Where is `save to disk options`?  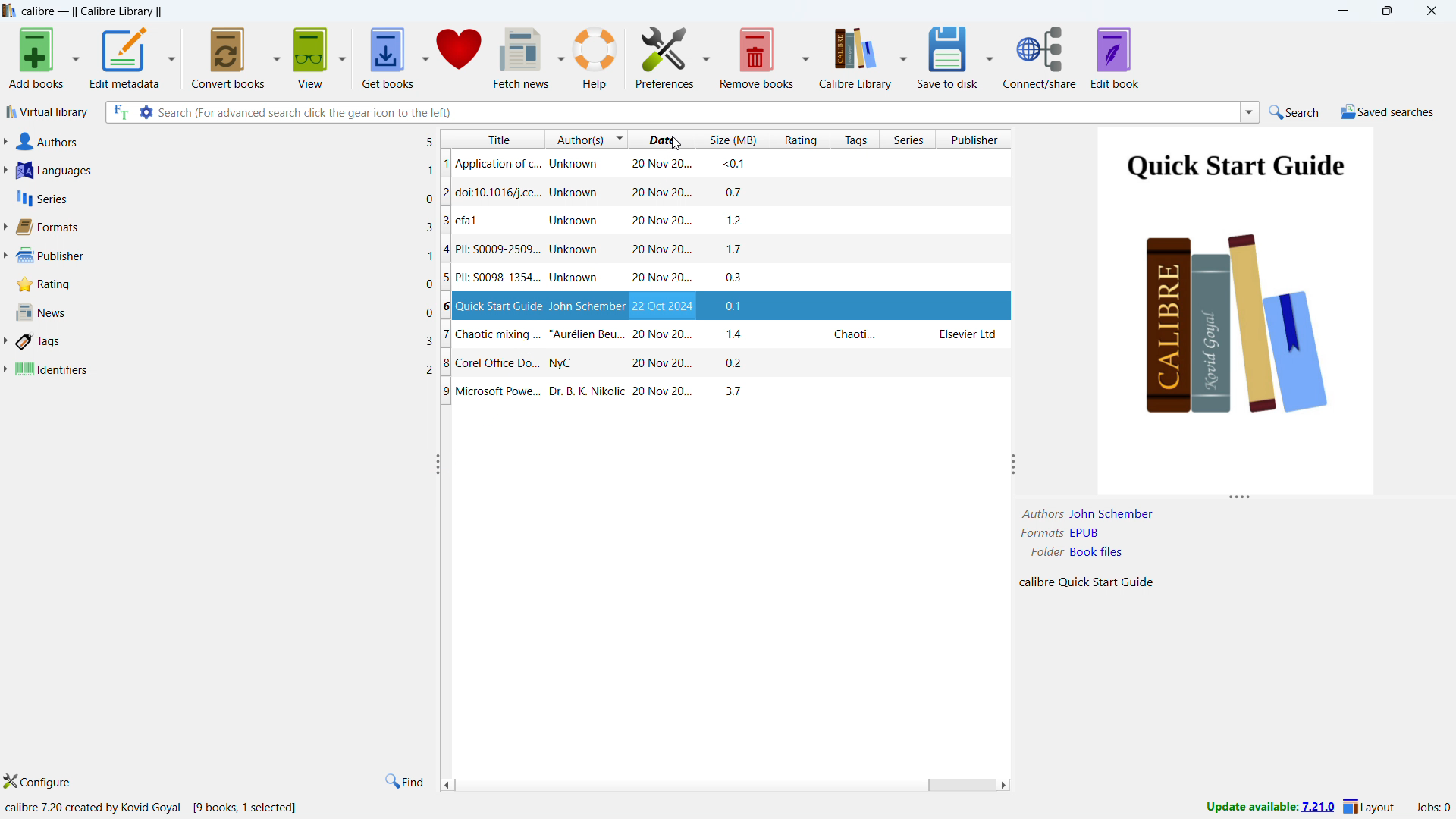
save to disk options is located at coordinates (989, 55).